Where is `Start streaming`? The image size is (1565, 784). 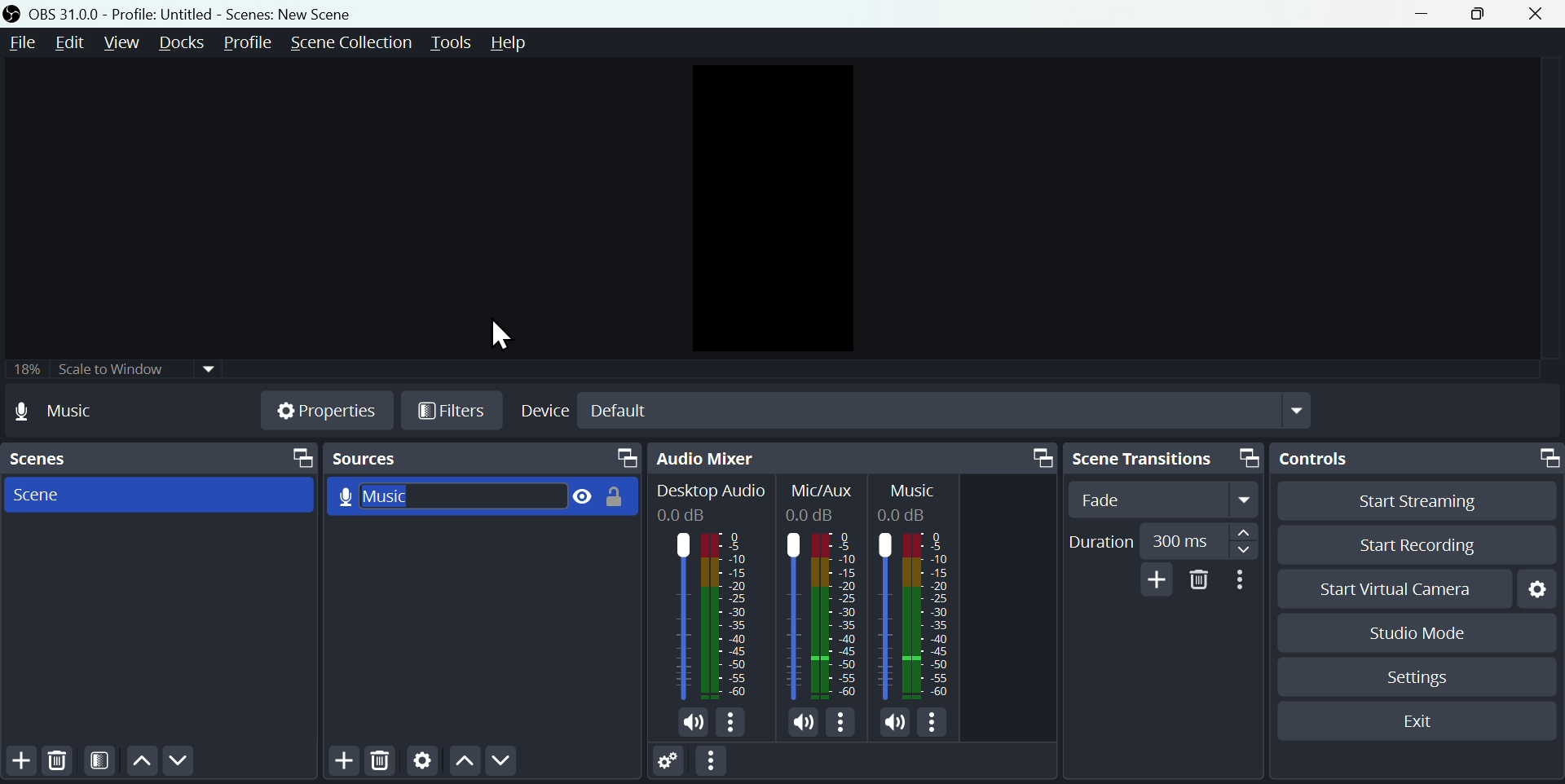 Start streaming is located at coordinates (1415, 499).